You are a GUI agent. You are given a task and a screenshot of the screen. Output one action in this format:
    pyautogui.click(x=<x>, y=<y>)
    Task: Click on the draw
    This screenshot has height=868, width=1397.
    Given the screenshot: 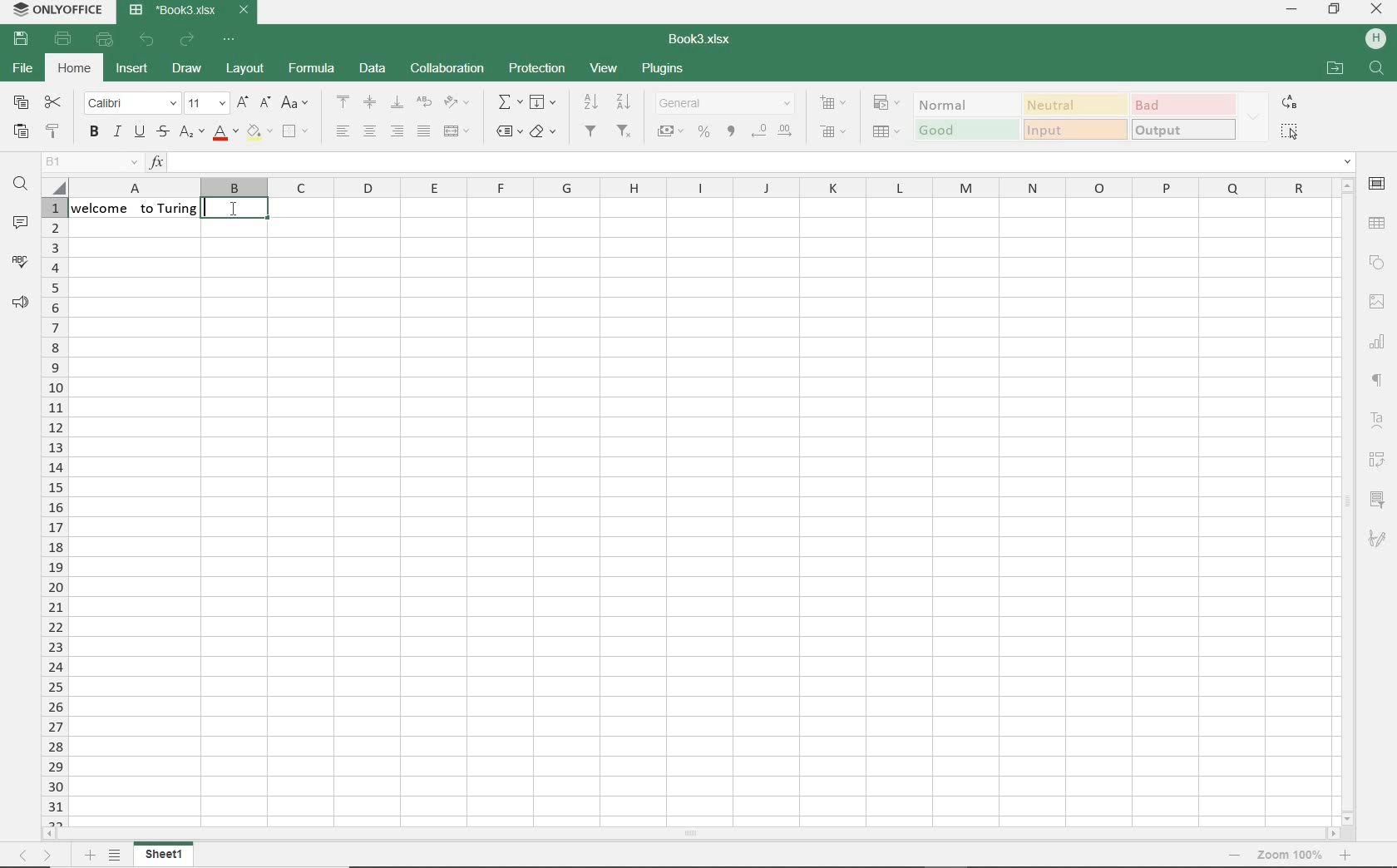 What is the action you would take?
    pyautogui.click(x=187, y=69)
    